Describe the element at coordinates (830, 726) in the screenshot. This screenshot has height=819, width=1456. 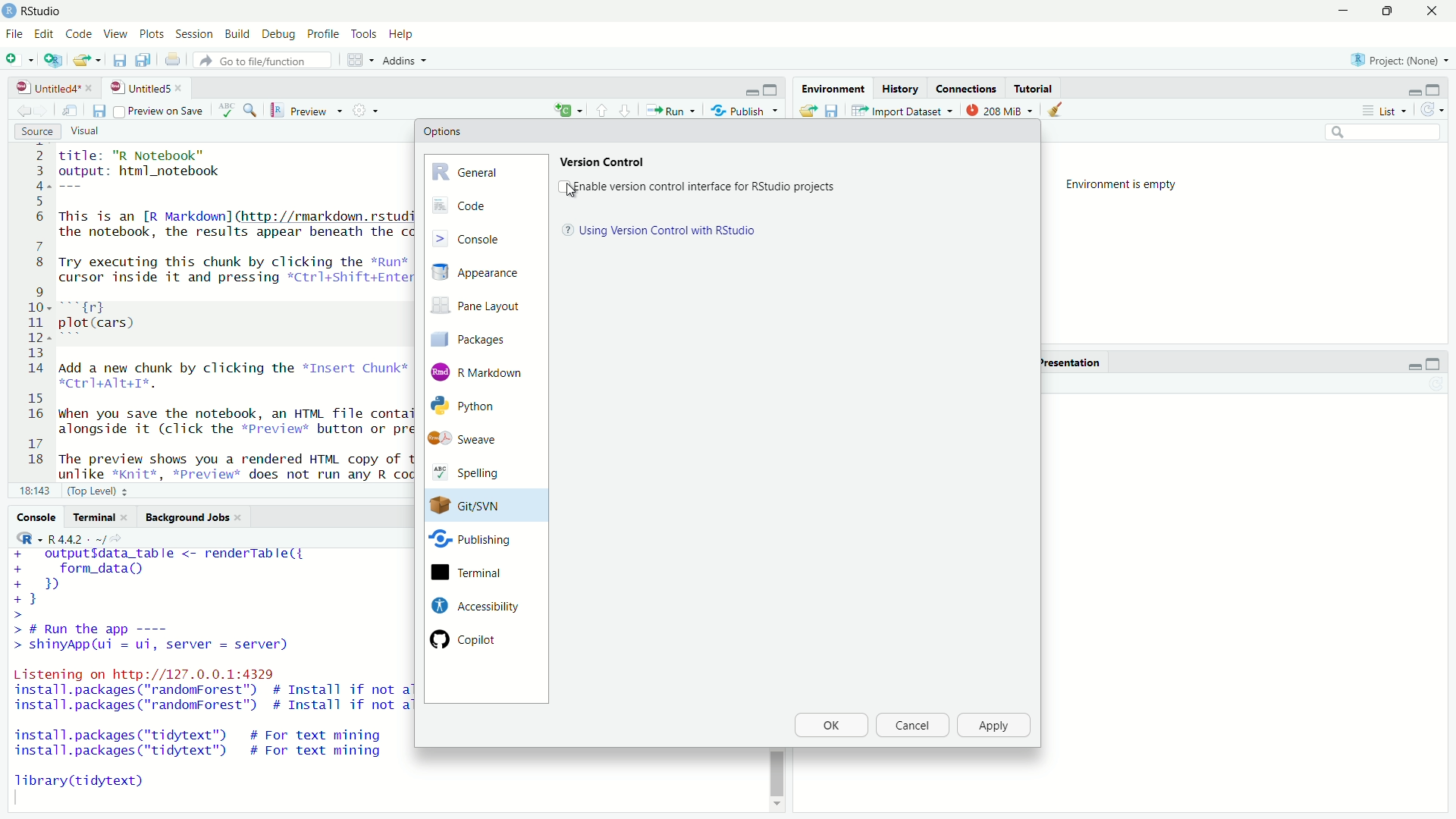
I see `OK` at that location.